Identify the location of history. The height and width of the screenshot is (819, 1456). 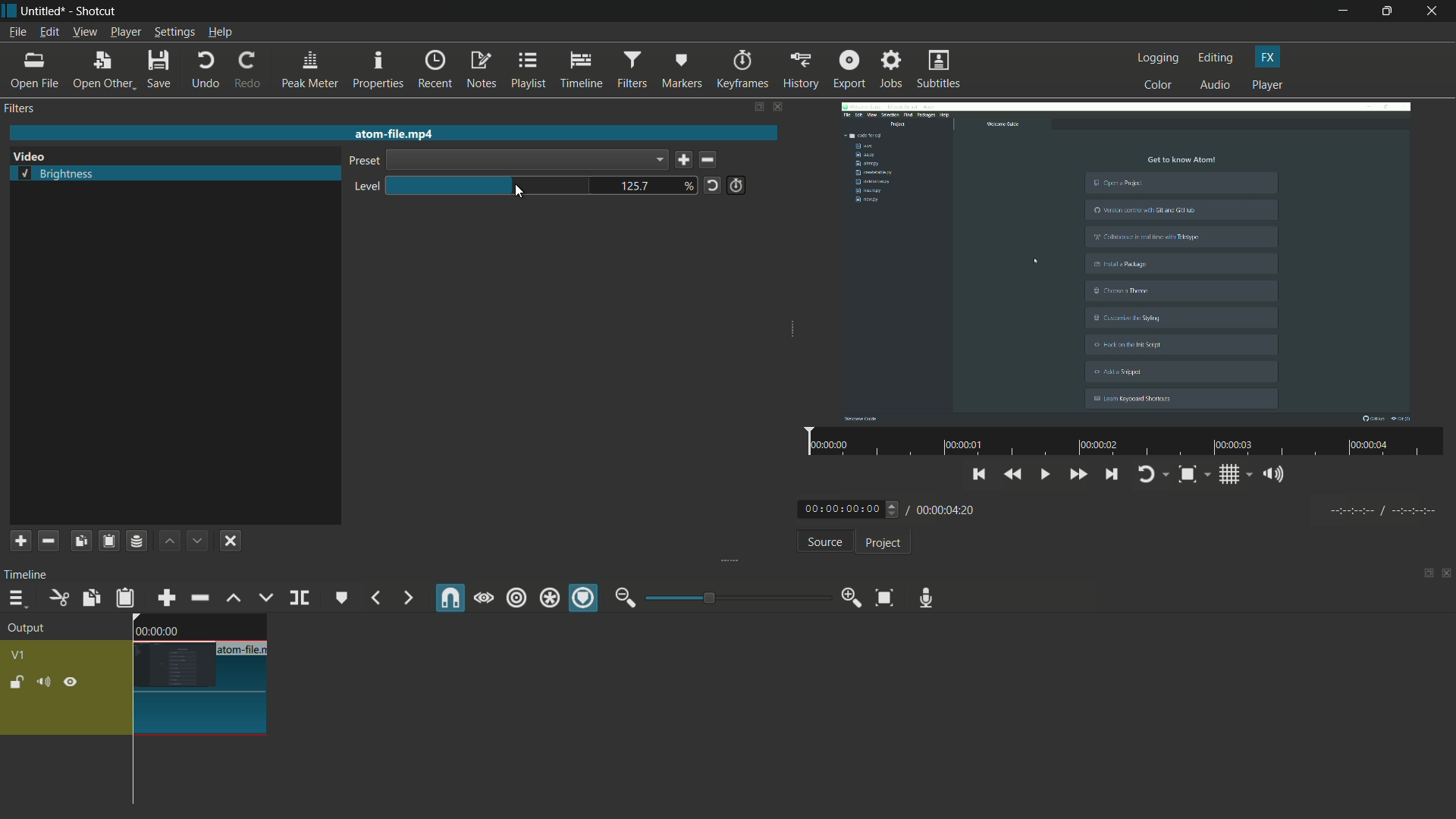
(799, 70).